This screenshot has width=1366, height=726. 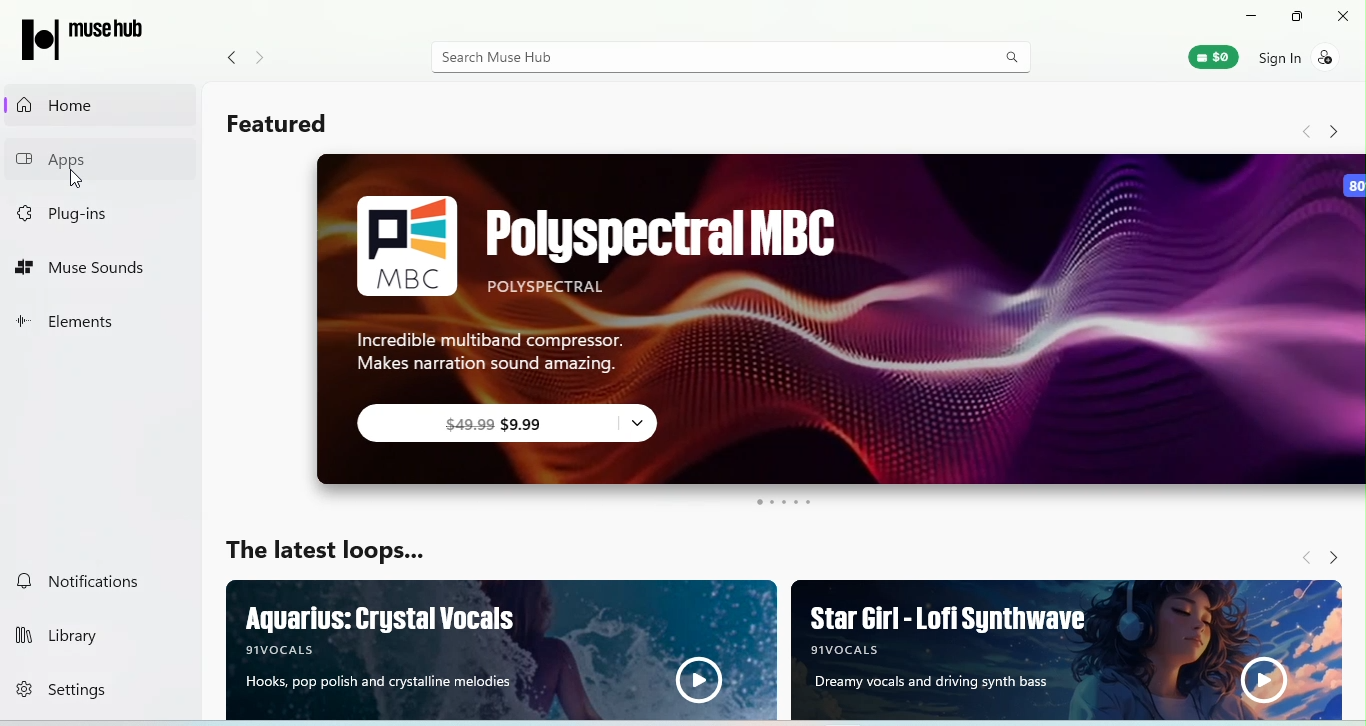 What do you see at coordinates (406, 246) in the screenshot?
I see `MBC` at bounding box center [406, 246].